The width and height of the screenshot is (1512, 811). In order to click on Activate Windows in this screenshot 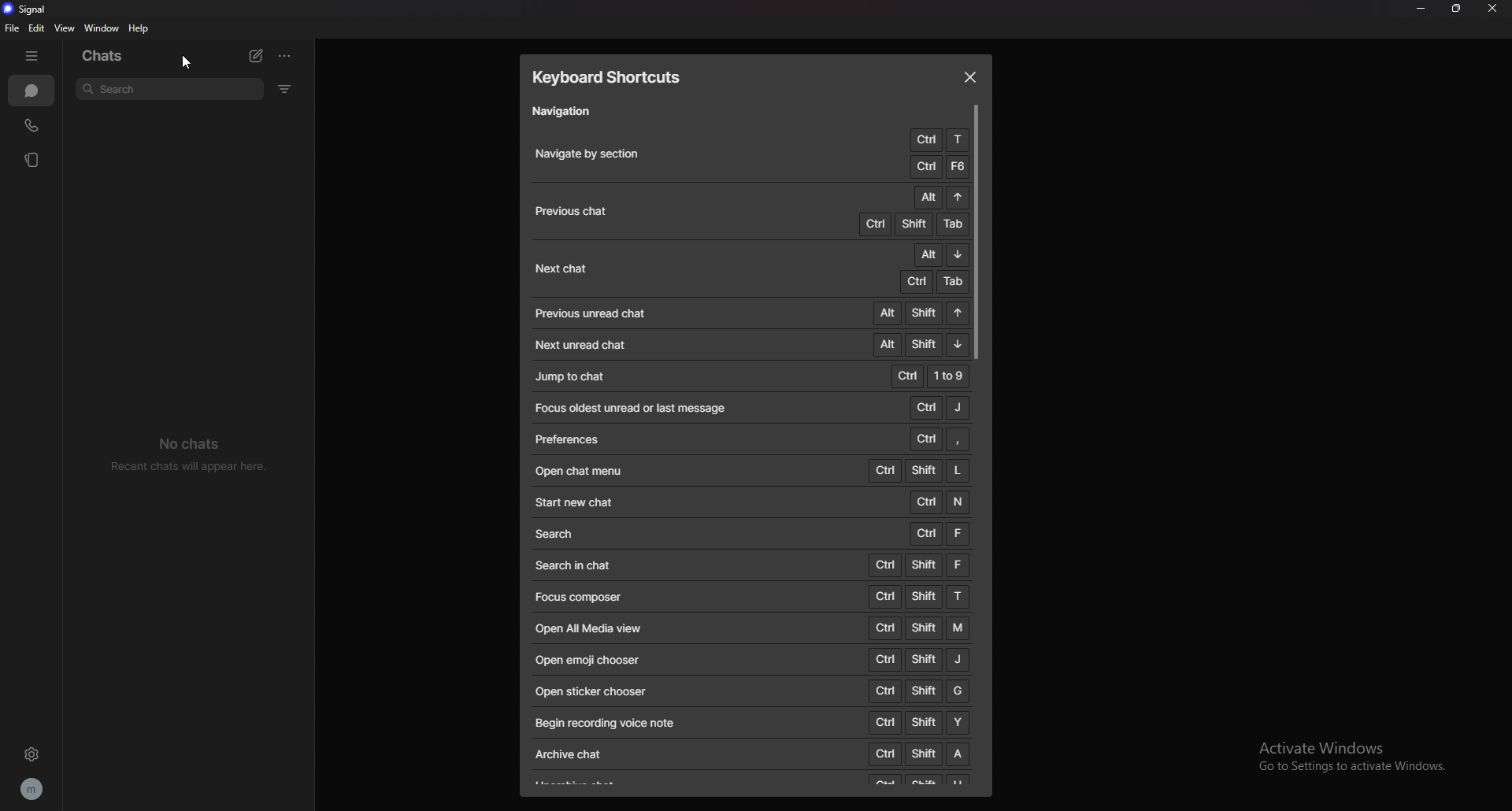, I will do `click(1321, 742)`.